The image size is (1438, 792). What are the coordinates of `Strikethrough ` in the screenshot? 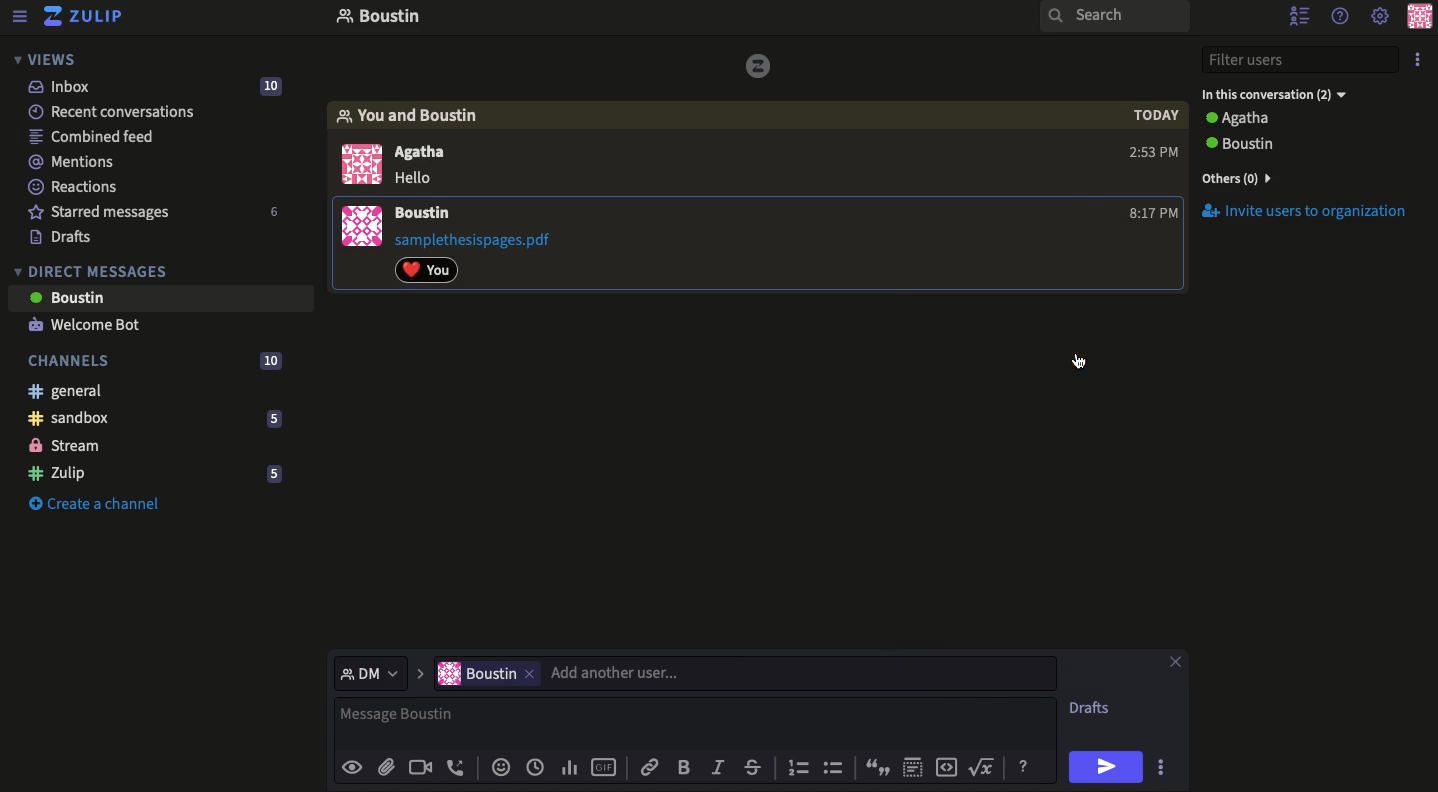 It's located at (754, 767).